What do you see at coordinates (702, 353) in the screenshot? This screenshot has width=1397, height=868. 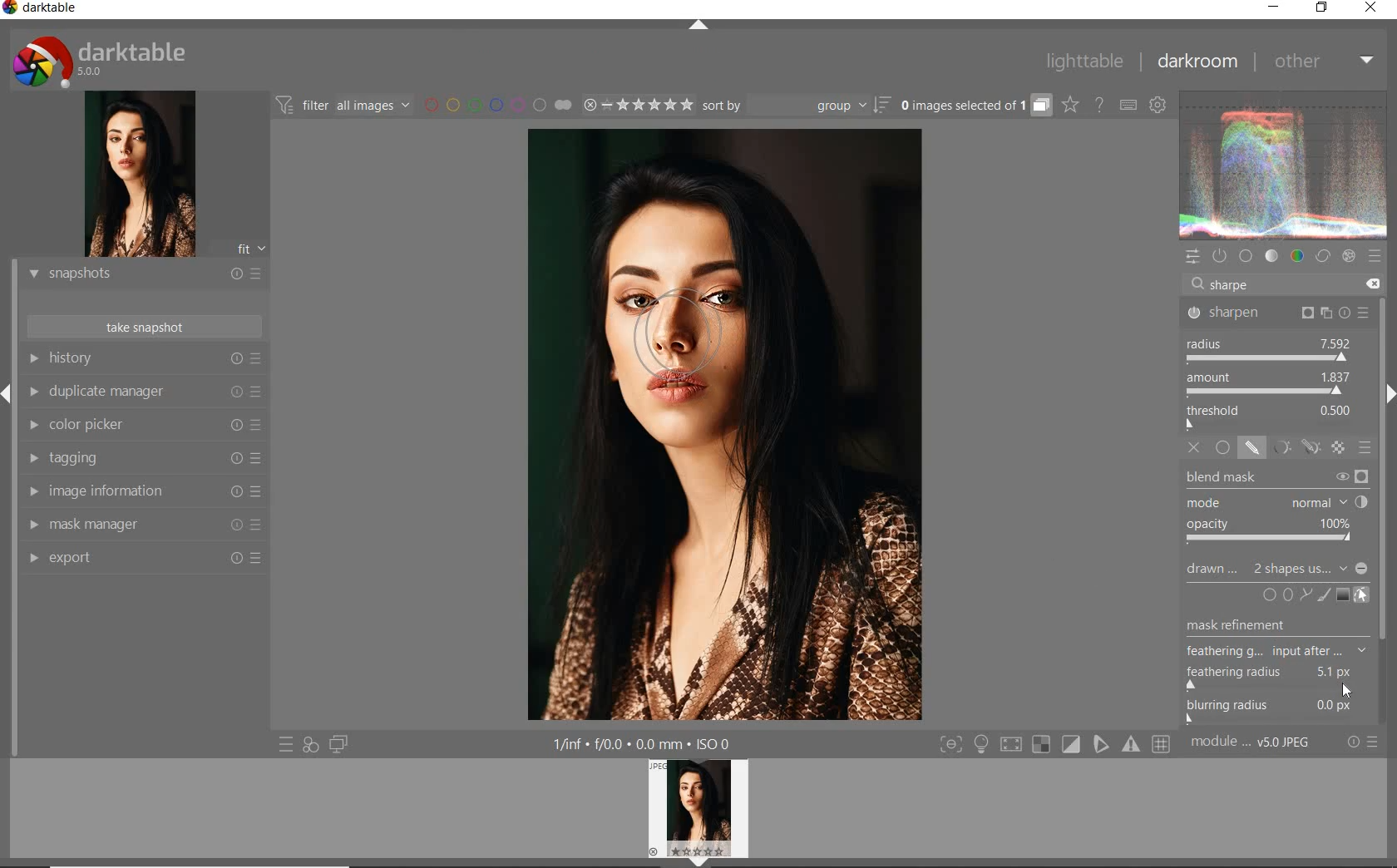 I see `DRAWN MASK` at bounding box center [702, 353].